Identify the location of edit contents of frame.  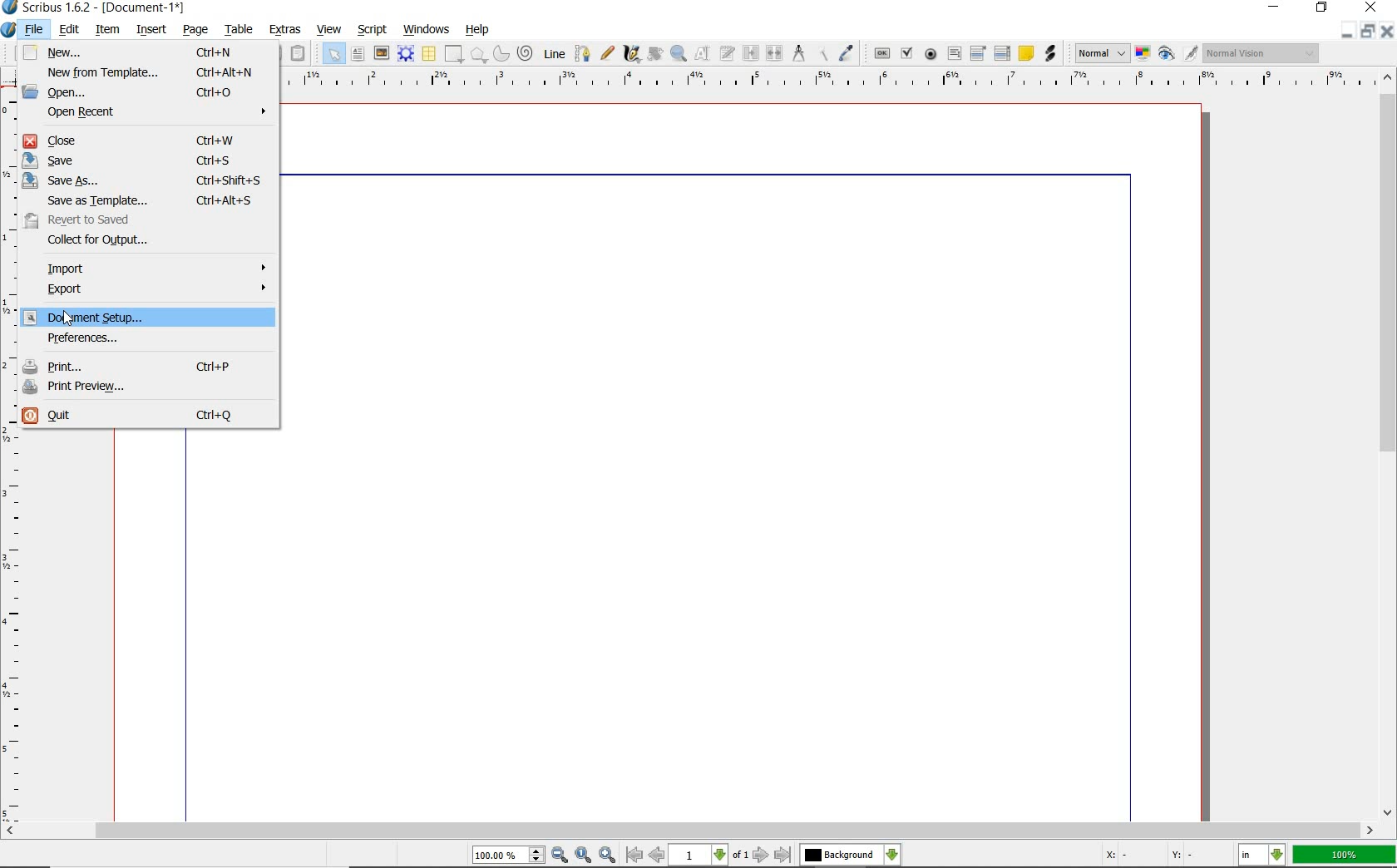
(704, 55).